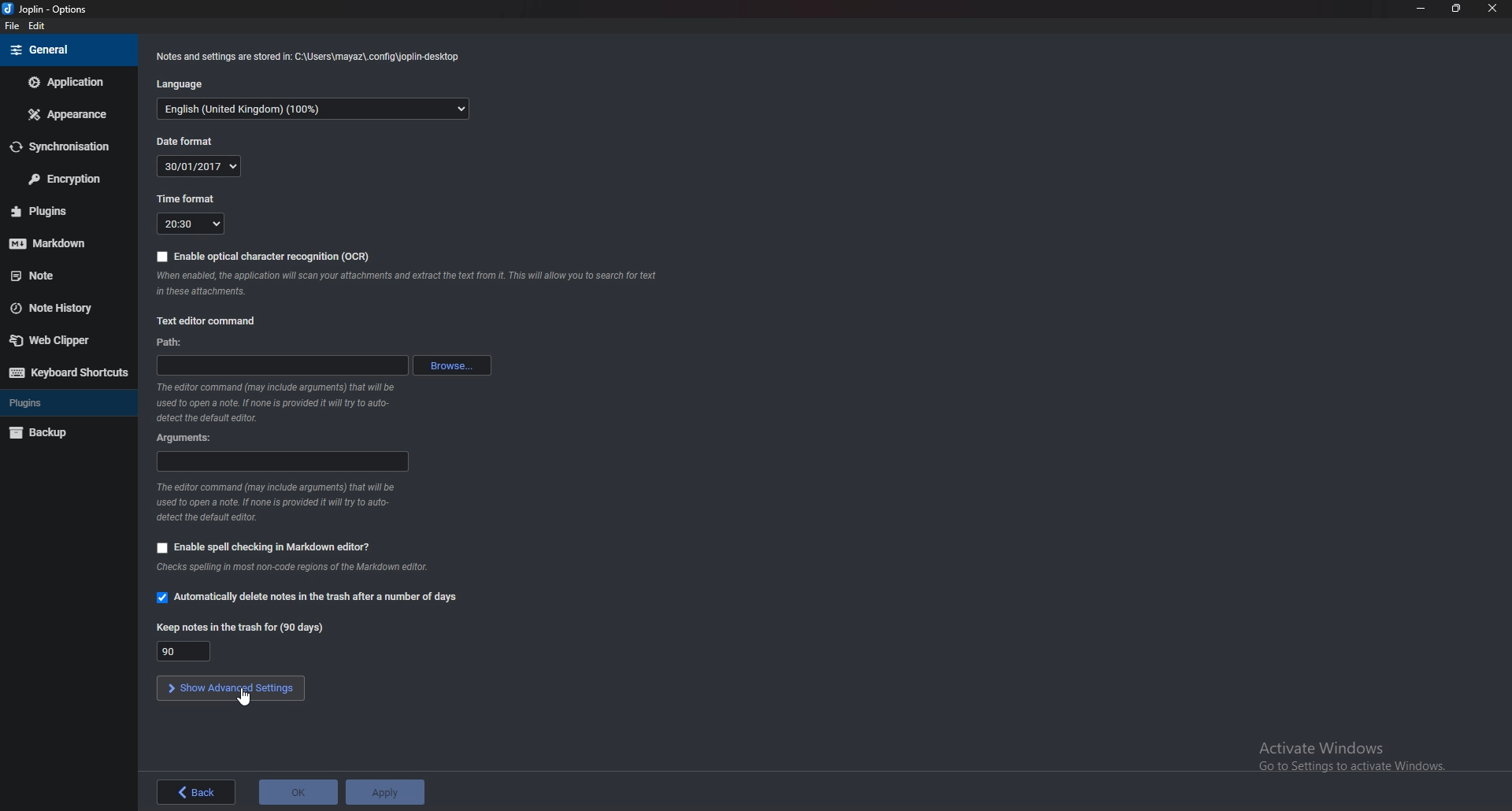 The width and height of the screenshot is (1512, 811). Describe the element at coordinates (276, 503) in the screenshot. I see `Info on editor command` at that location.